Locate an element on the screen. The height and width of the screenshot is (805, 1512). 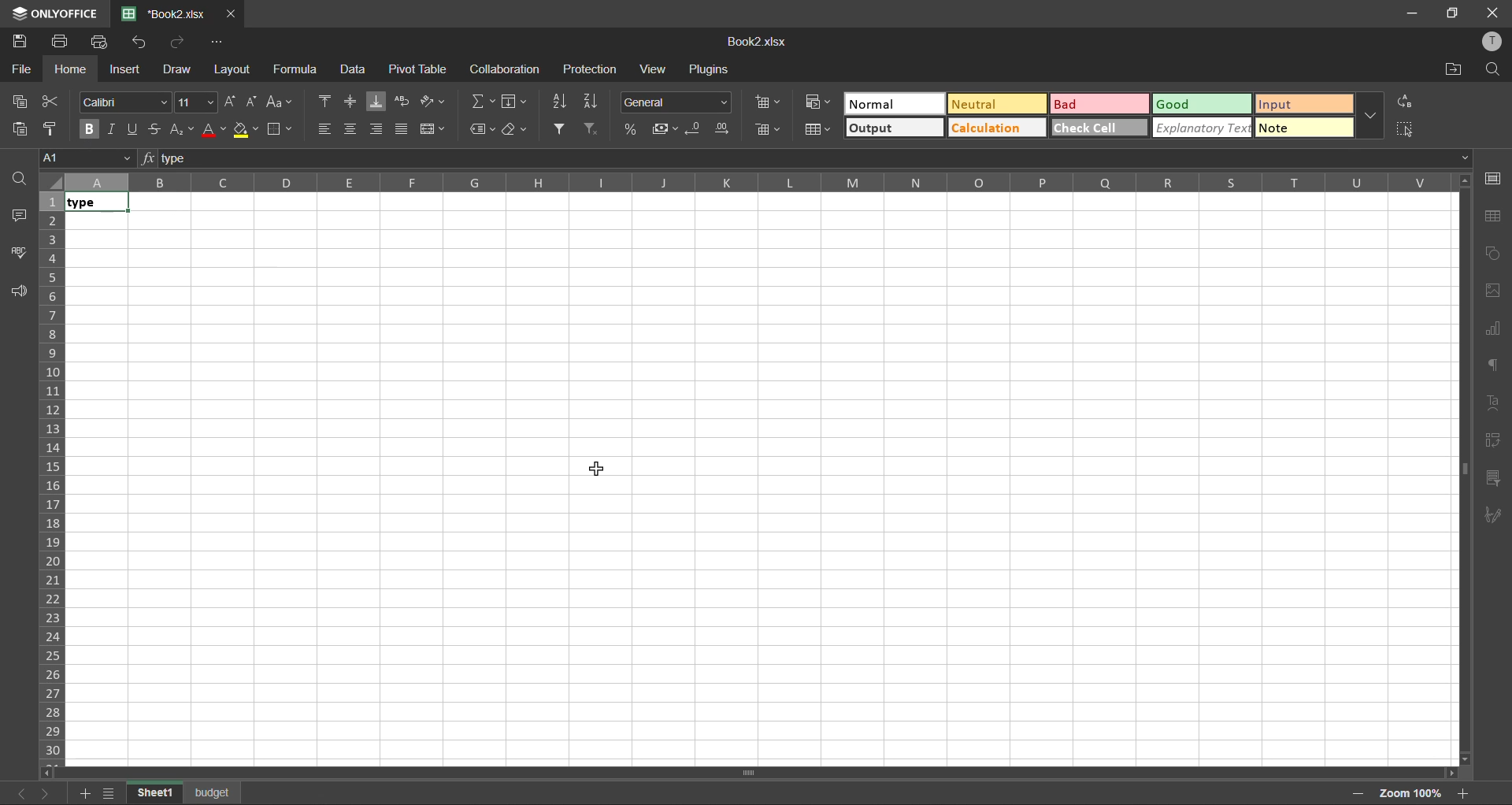
open location is located at coordinates (1455, 71).